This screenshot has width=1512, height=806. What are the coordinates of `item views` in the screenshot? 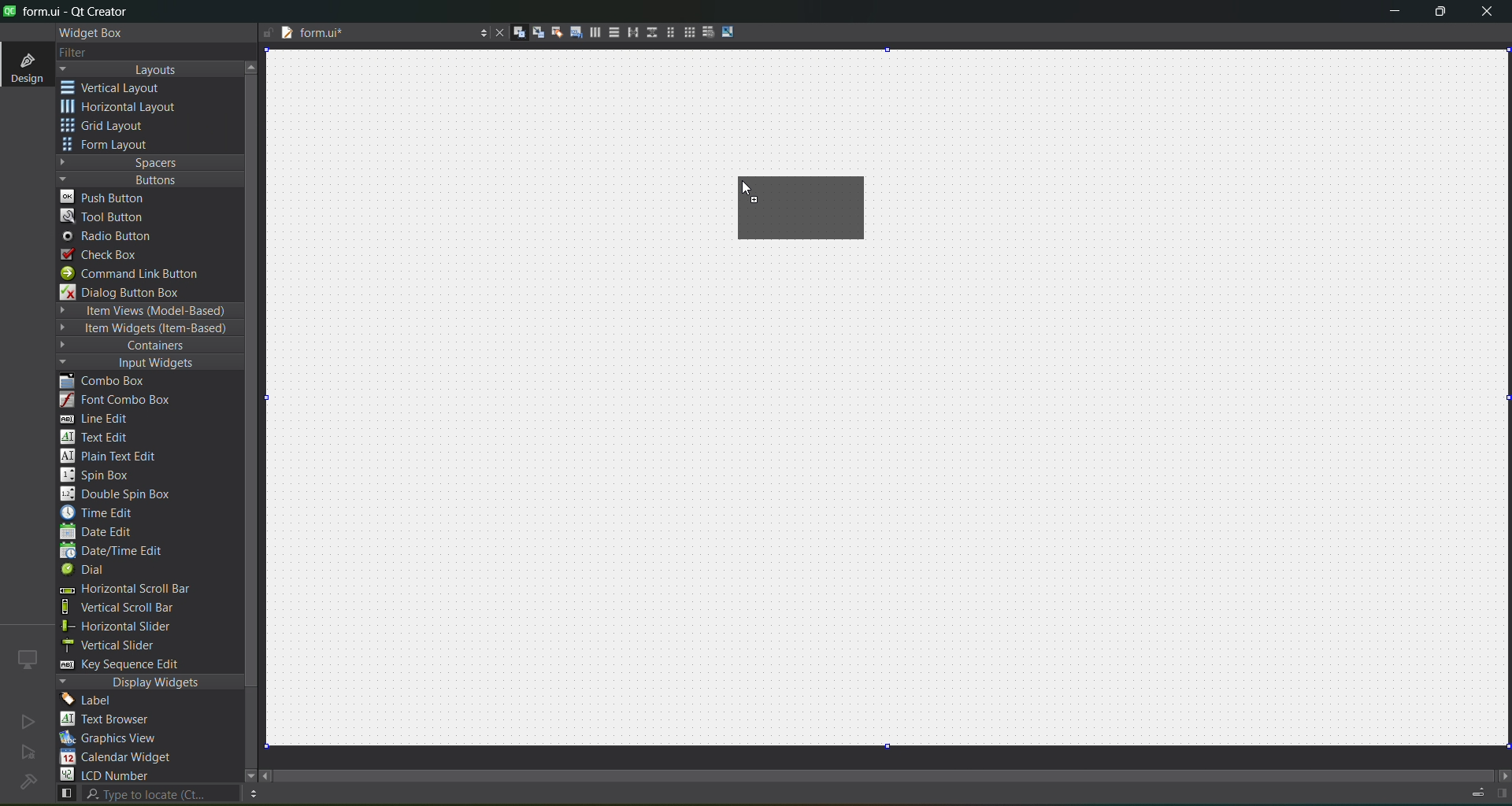 It's located at (148, 312).